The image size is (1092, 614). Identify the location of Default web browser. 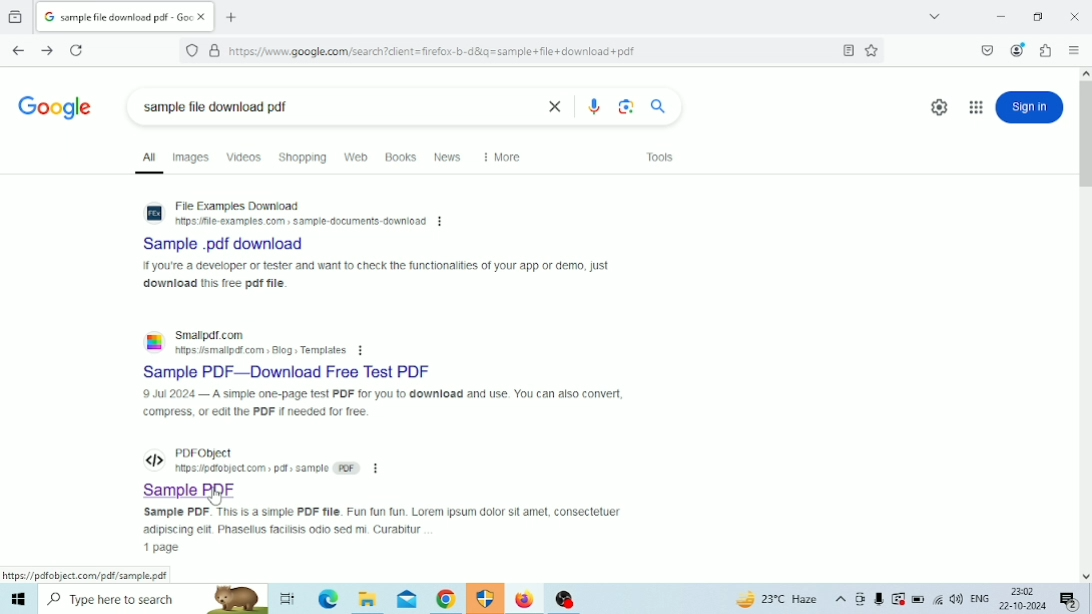
(56, 108).